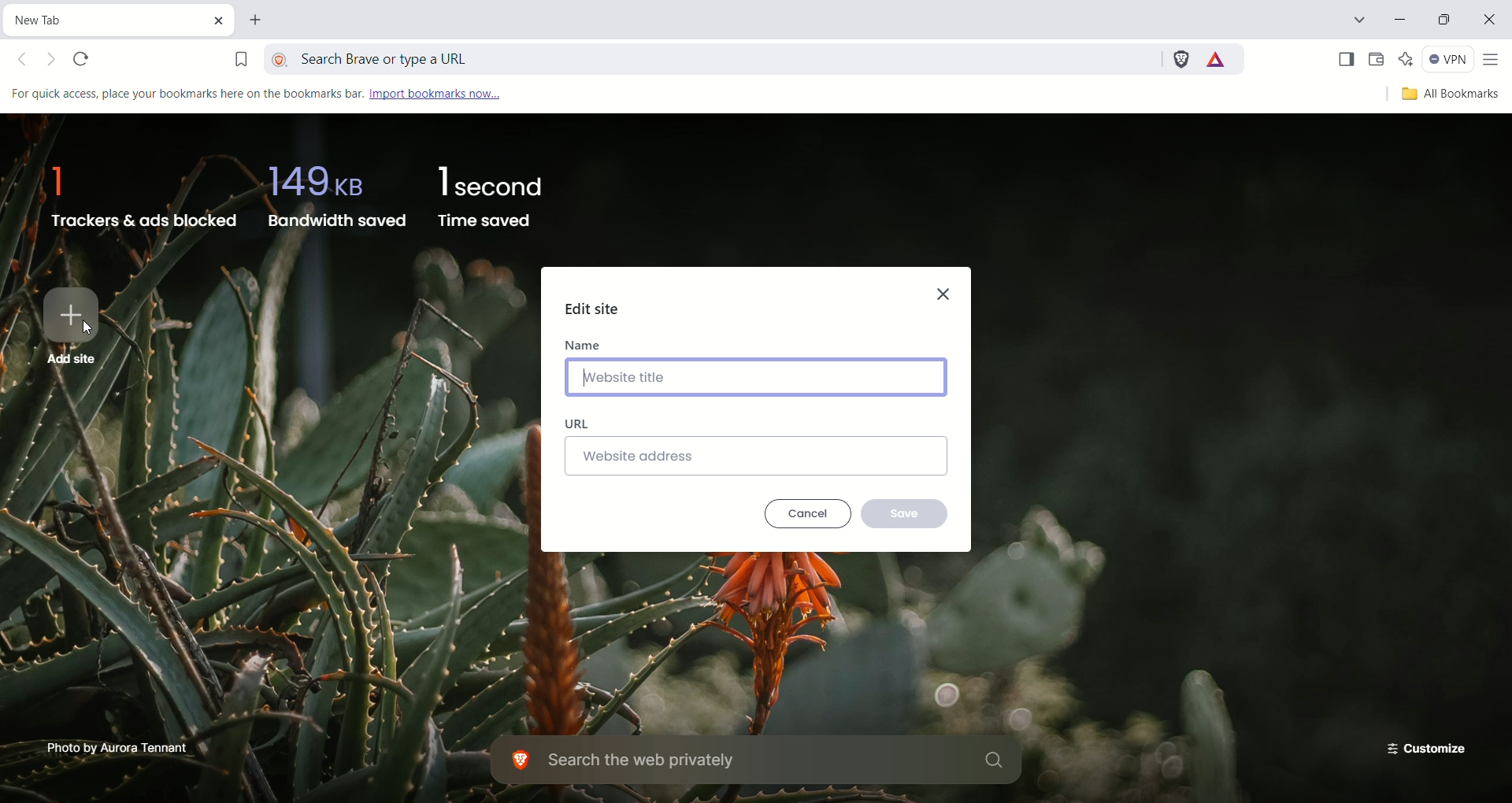 The image size is (1512, 803). What do you see at coordinates (1492, 22) in the screenshot?
I see `close` at bounding box center [1492, 22].